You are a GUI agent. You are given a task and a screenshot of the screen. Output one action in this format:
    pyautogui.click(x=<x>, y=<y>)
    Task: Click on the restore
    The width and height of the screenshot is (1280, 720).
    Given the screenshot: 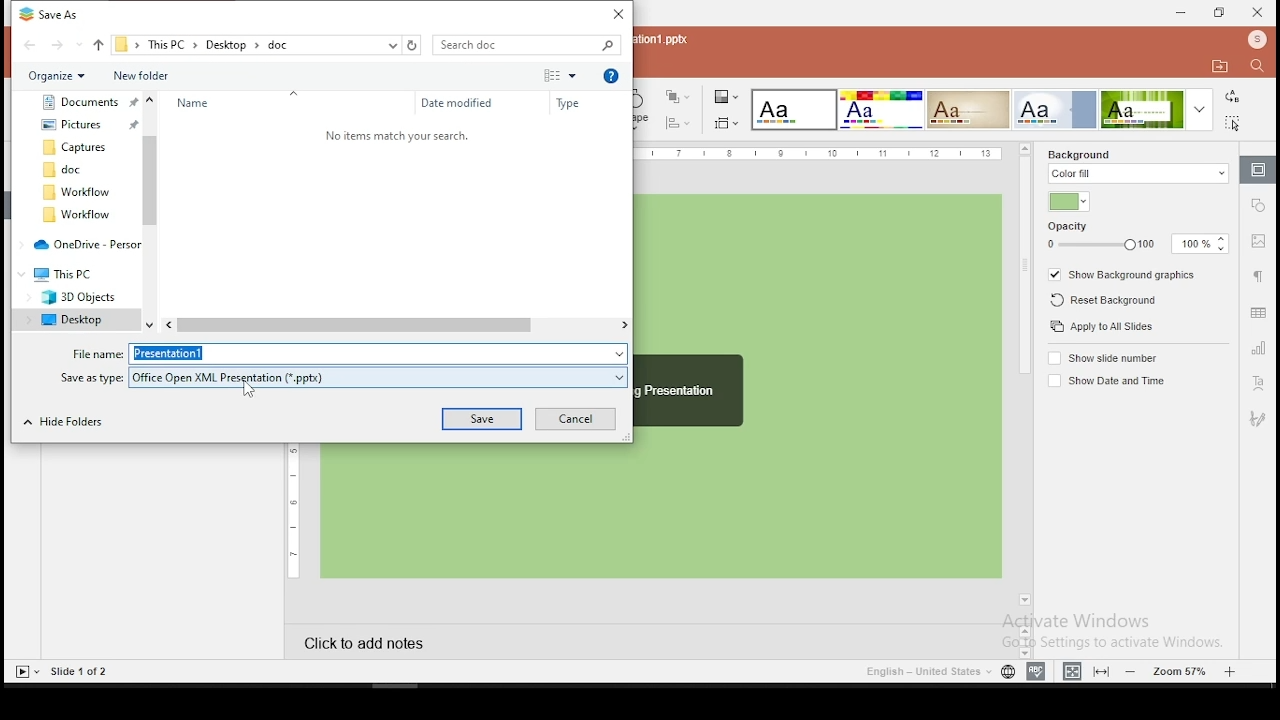 What is the action you would take?
    pyautogui.click(x=1218, y=13)
    